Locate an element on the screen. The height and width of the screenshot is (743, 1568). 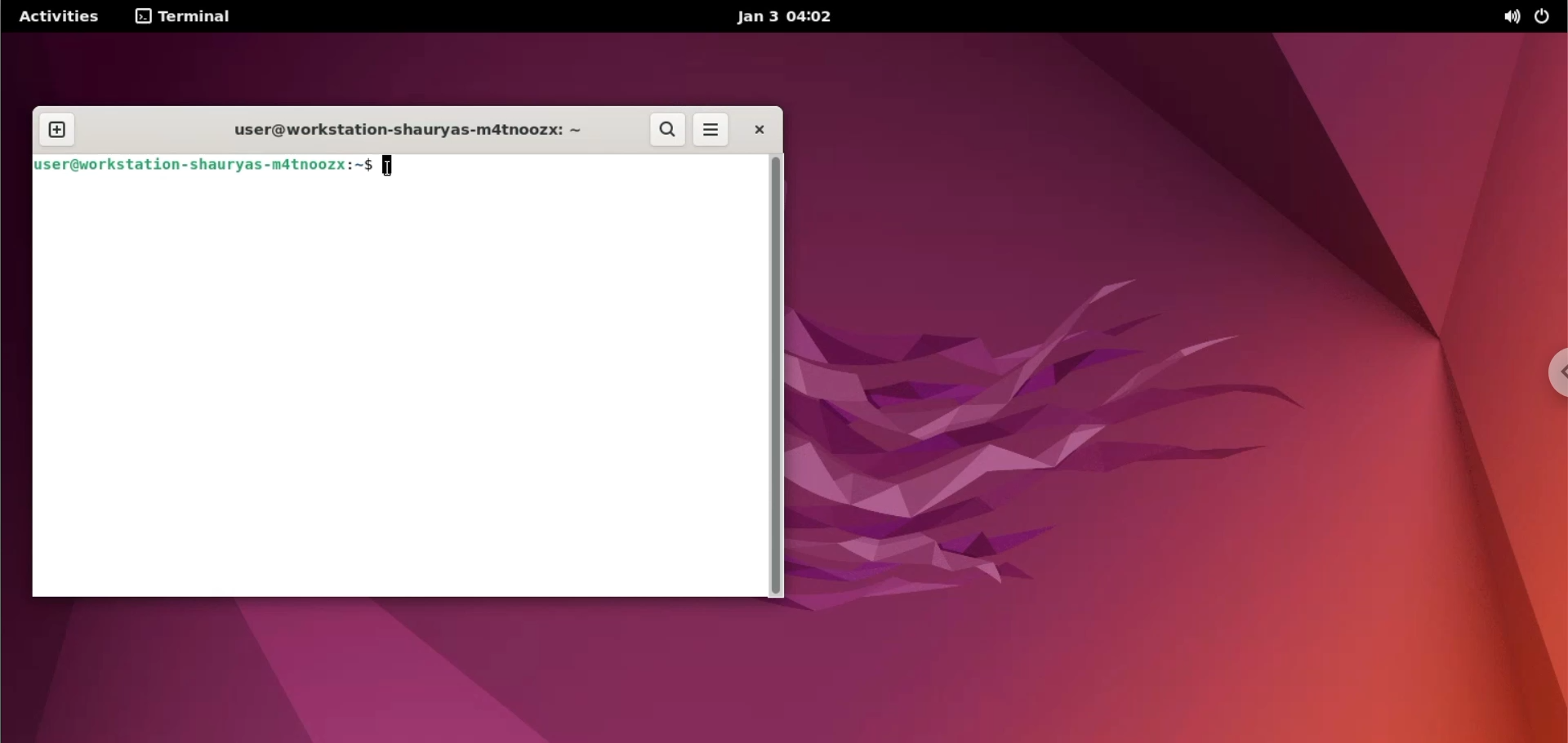
search is located at coordinates (667, 130).